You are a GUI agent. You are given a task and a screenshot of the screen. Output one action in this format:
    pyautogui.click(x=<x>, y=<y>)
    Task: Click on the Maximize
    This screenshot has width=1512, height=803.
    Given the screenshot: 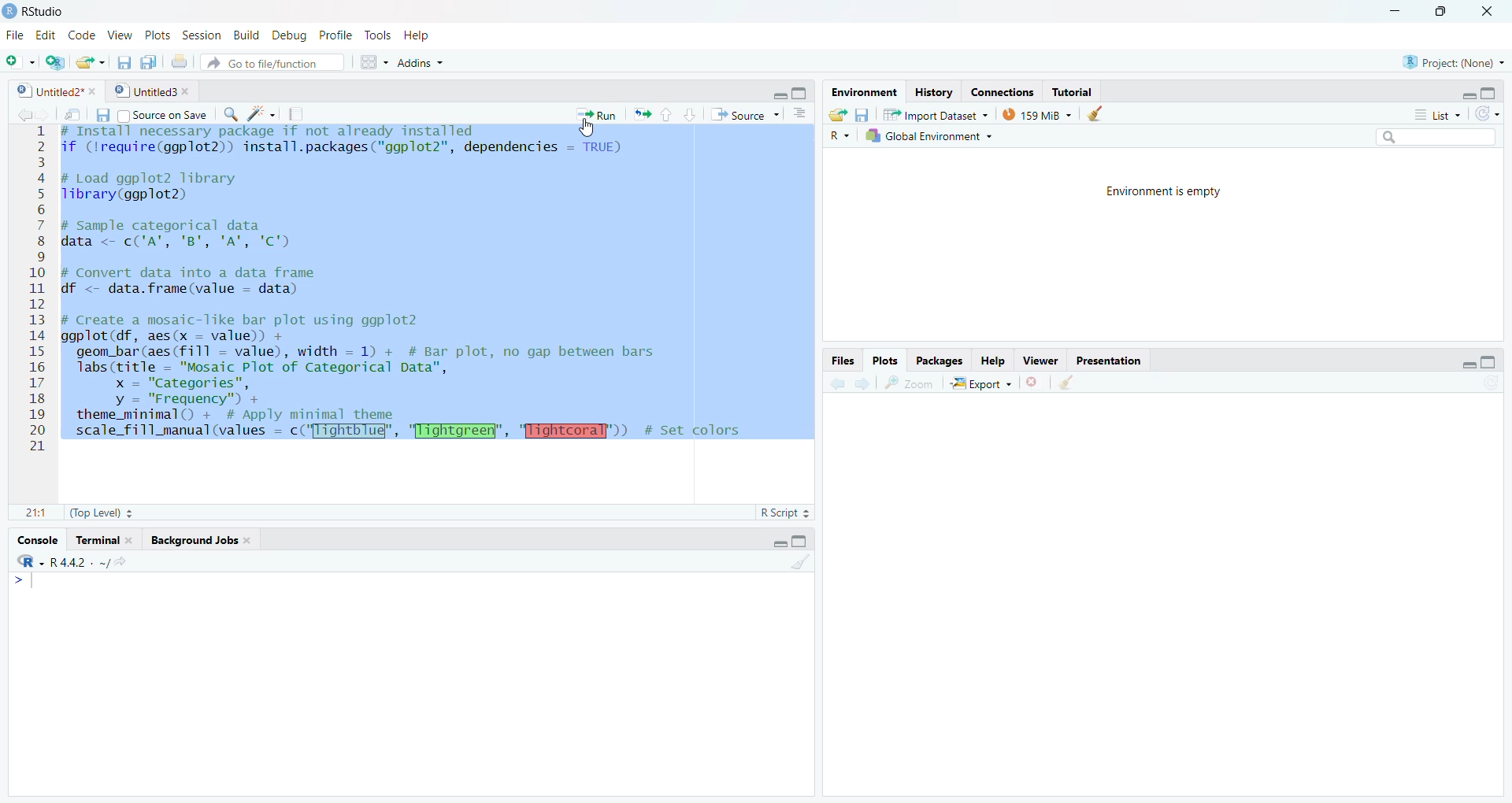 What is the action you would take?
    pyautogui.click(x=1492, y=93)
    